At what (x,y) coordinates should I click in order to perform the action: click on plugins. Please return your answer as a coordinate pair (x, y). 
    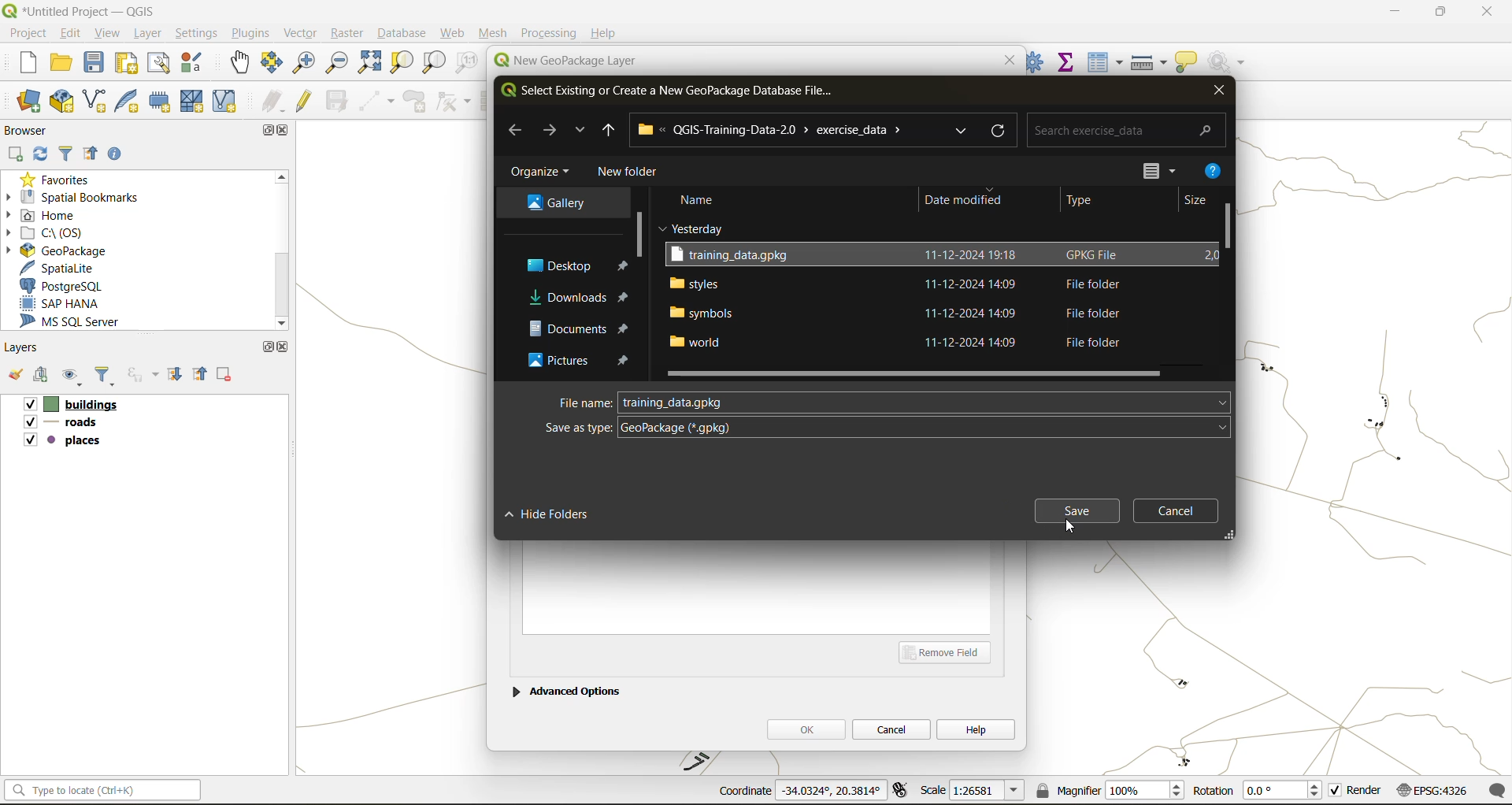
    Looking at the image, I should click on (250, 33).